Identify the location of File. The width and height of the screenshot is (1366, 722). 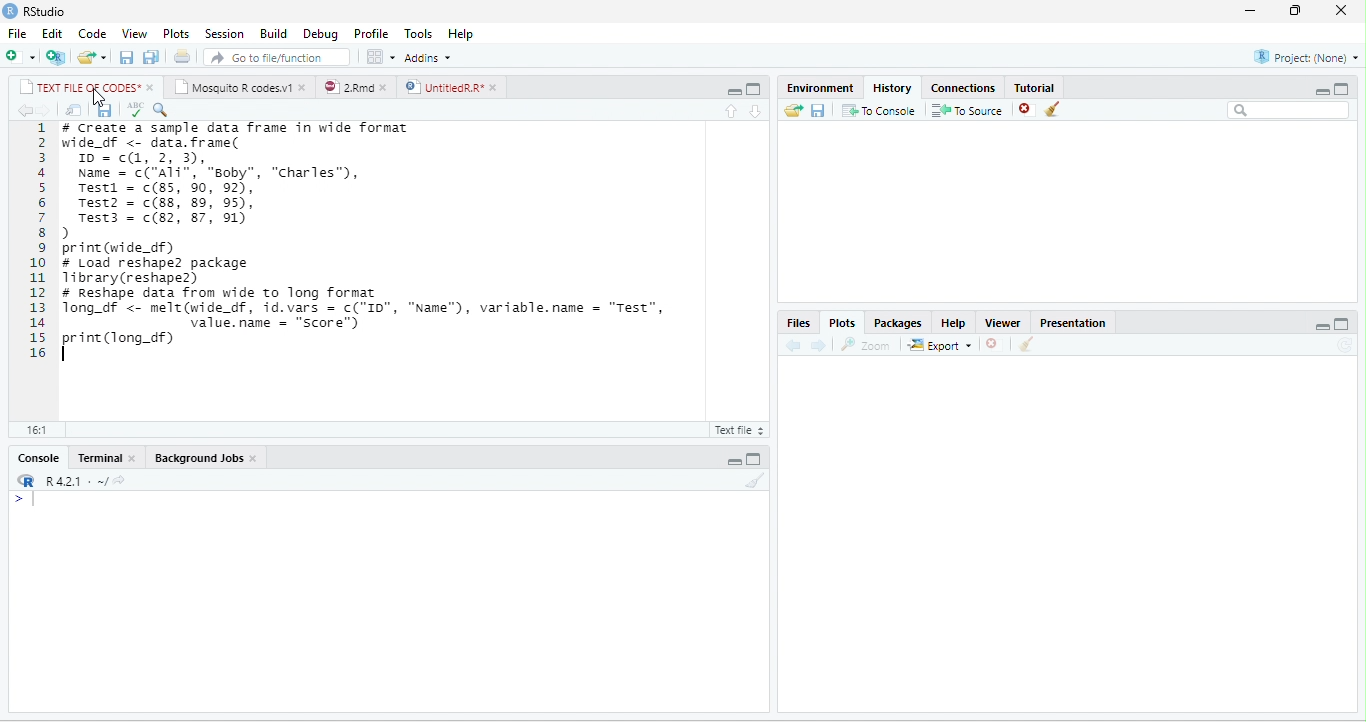
(17, 34).